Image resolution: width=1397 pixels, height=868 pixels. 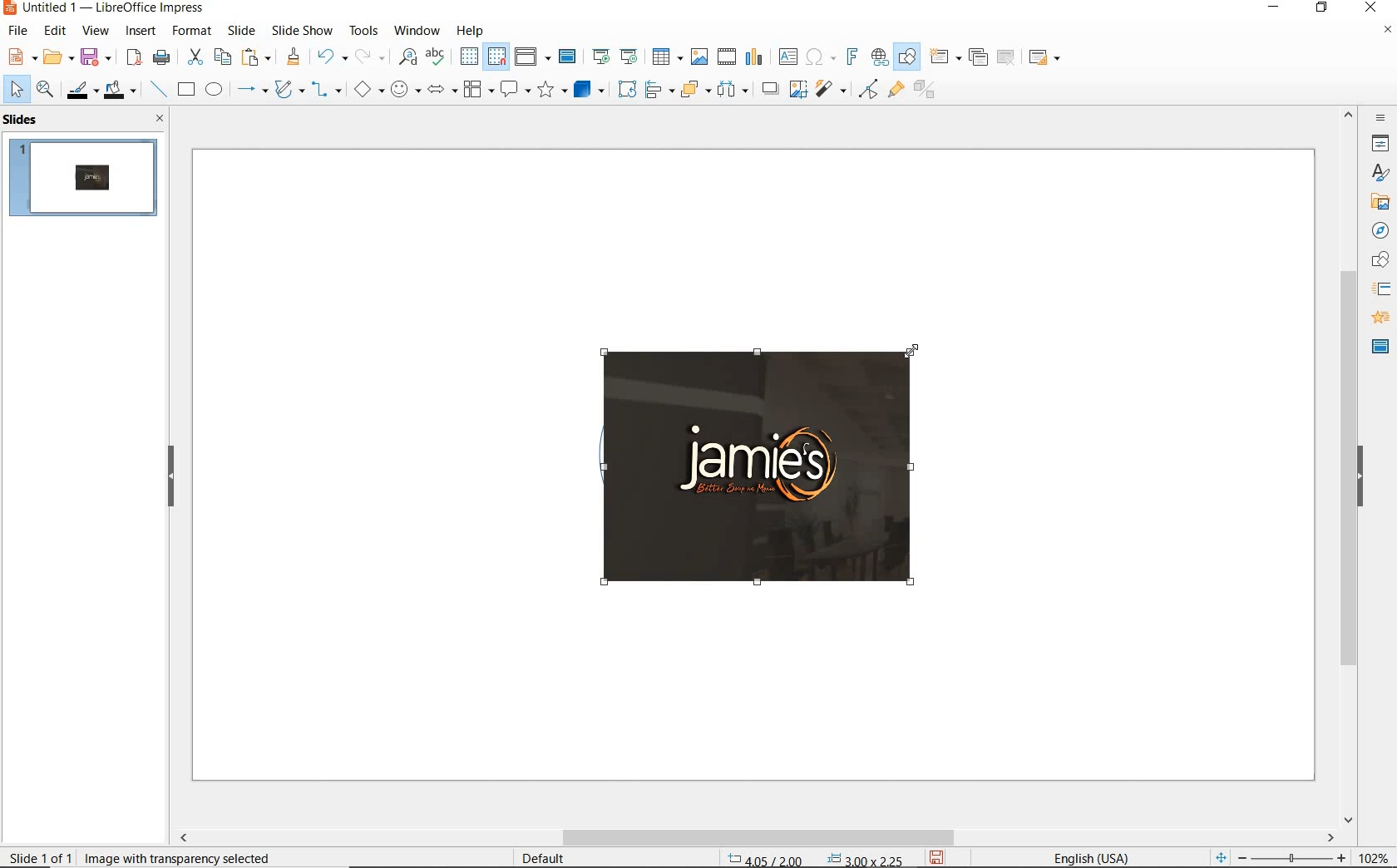 I want to click on filter, so click(x=868, y=86).